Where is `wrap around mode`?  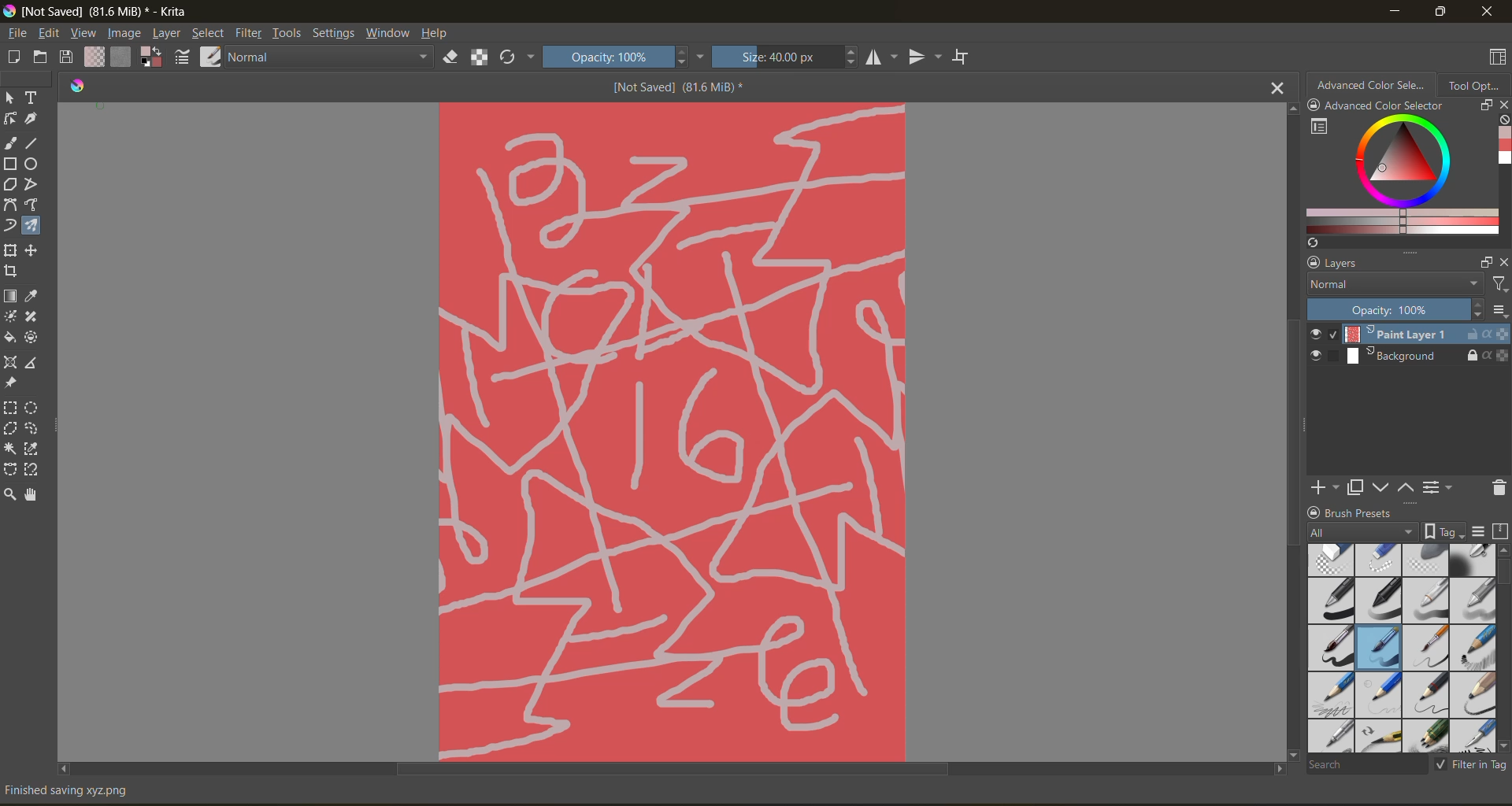 wrap around mode is located at coordinates (965, 57).